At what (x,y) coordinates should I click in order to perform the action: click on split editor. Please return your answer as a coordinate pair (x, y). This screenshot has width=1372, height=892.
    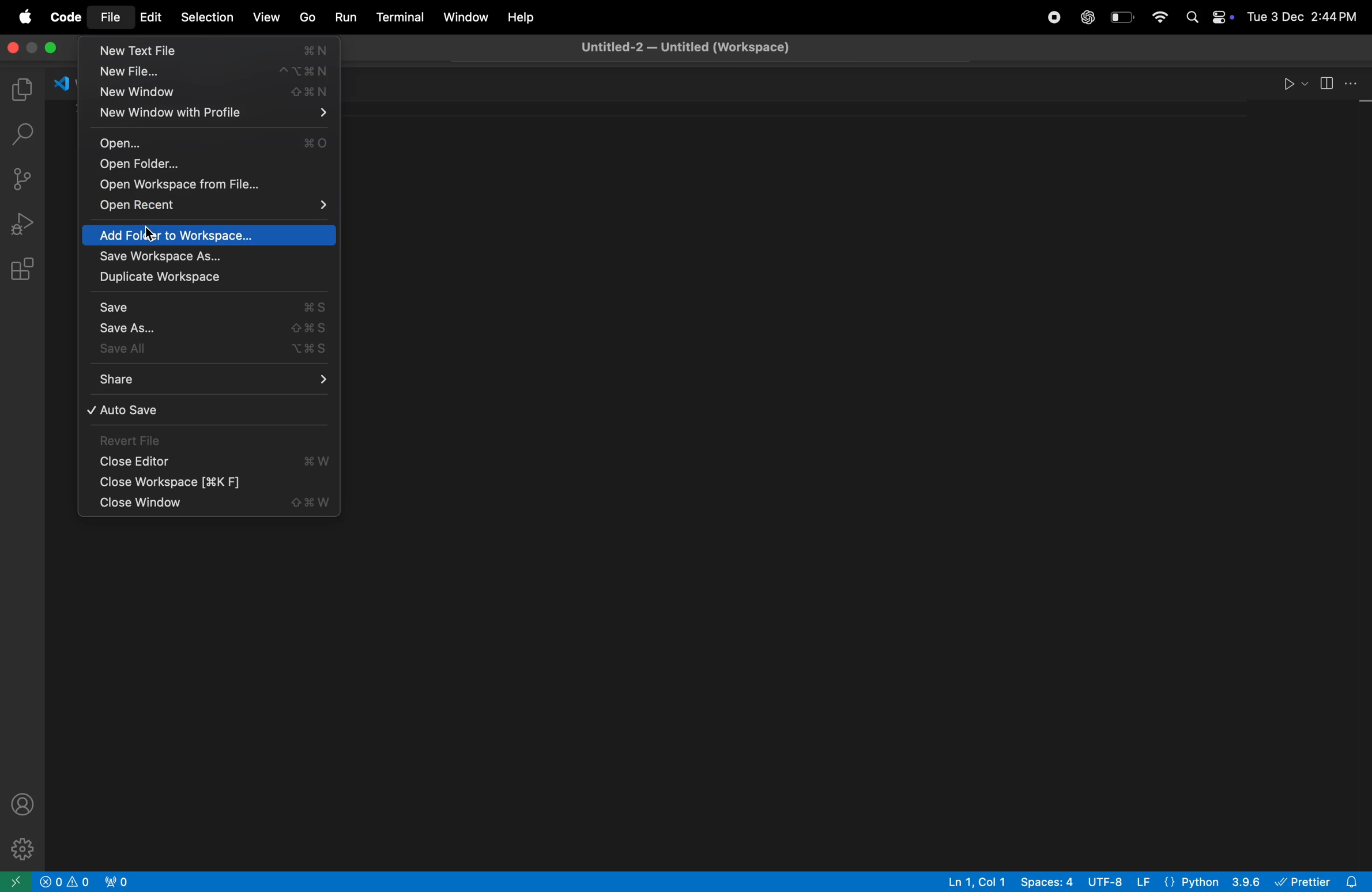
    Looking at the image, I should click on (1338, 82).